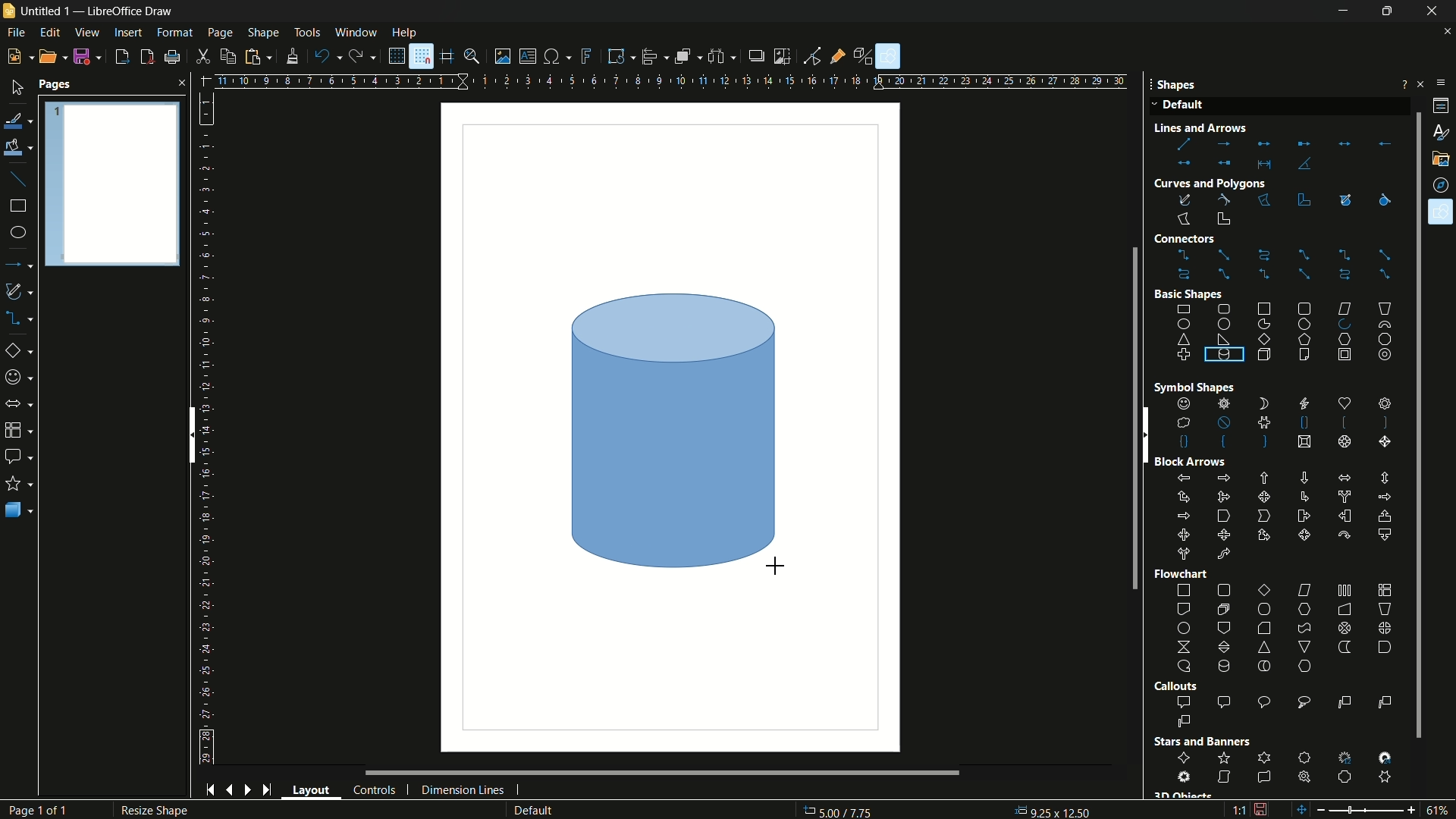  What do you see at coordinates (129, 11) in the screenshot?
I see `app name` at bounding box center [129, 11].